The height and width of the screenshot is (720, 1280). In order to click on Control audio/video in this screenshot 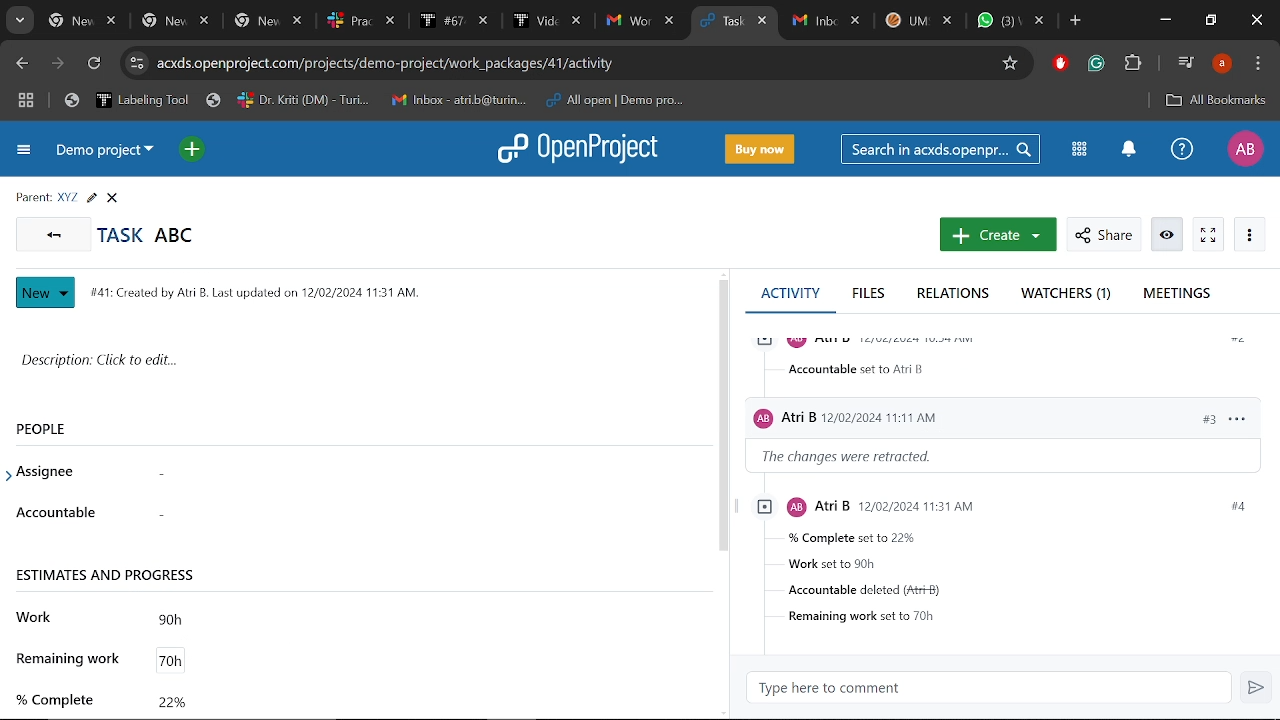, I will do `click(1184, 62)`.